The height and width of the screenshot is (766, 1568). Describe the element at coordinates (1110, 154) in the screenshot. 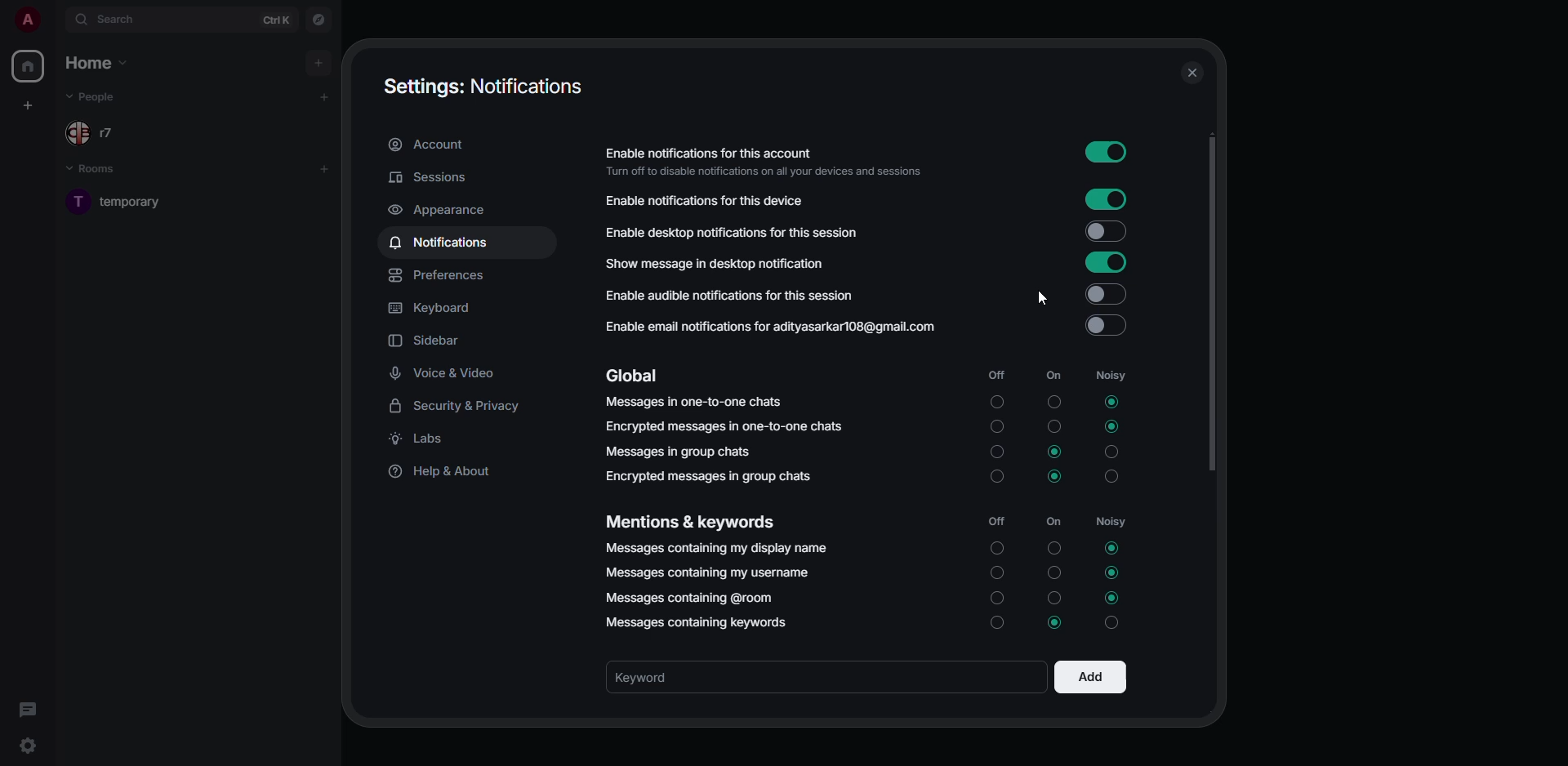

I see `enabled` at that location.